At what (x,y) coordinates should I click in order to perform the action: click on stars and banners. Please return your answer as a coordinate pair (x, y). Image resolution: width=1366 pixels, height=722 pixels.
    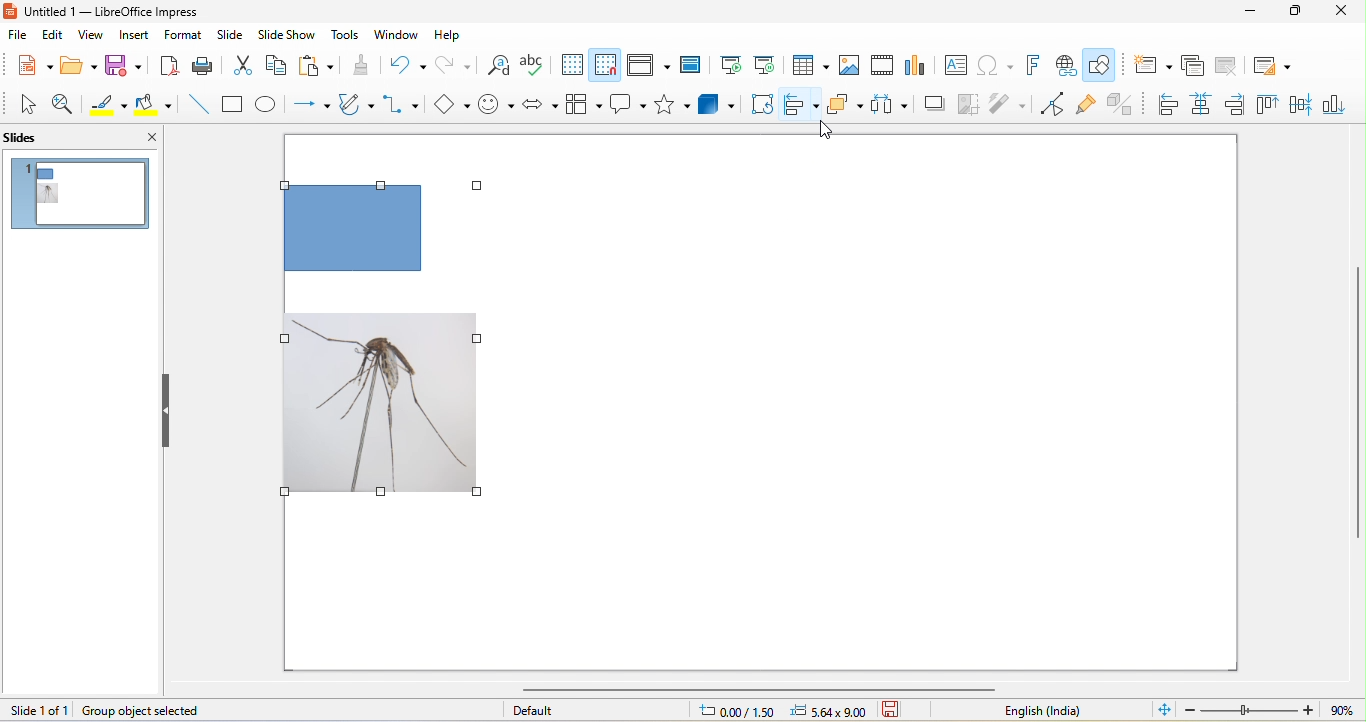
    Looking at the image, I should click on (673, 105).